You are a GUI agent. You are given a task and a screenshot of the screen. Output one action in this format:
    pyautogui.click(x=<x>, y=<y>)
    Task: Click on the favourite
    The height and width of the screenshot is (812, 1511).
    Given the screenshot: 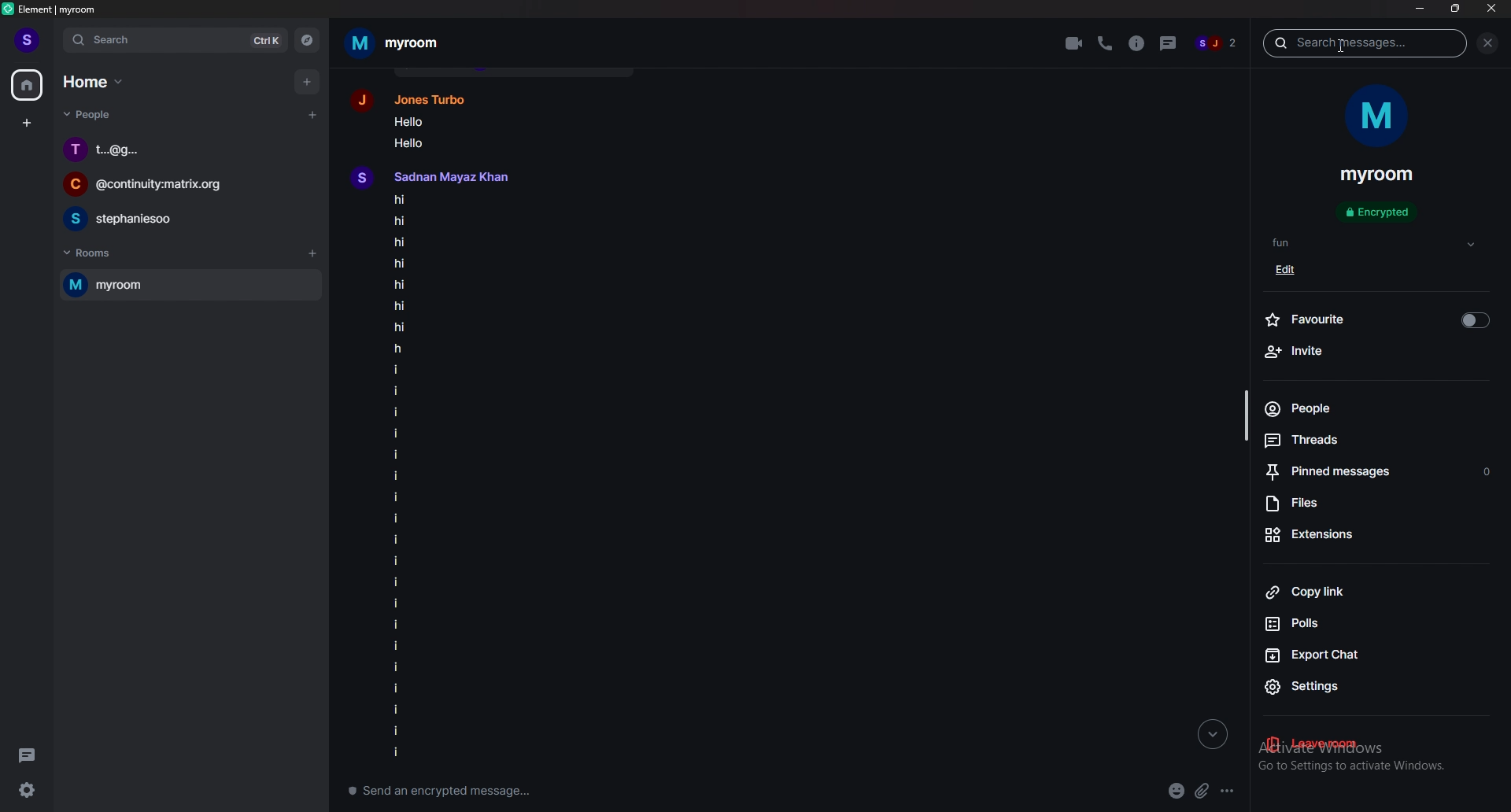 What is the action you would take?
    pyautogui.click(x=1379, y=319)
    